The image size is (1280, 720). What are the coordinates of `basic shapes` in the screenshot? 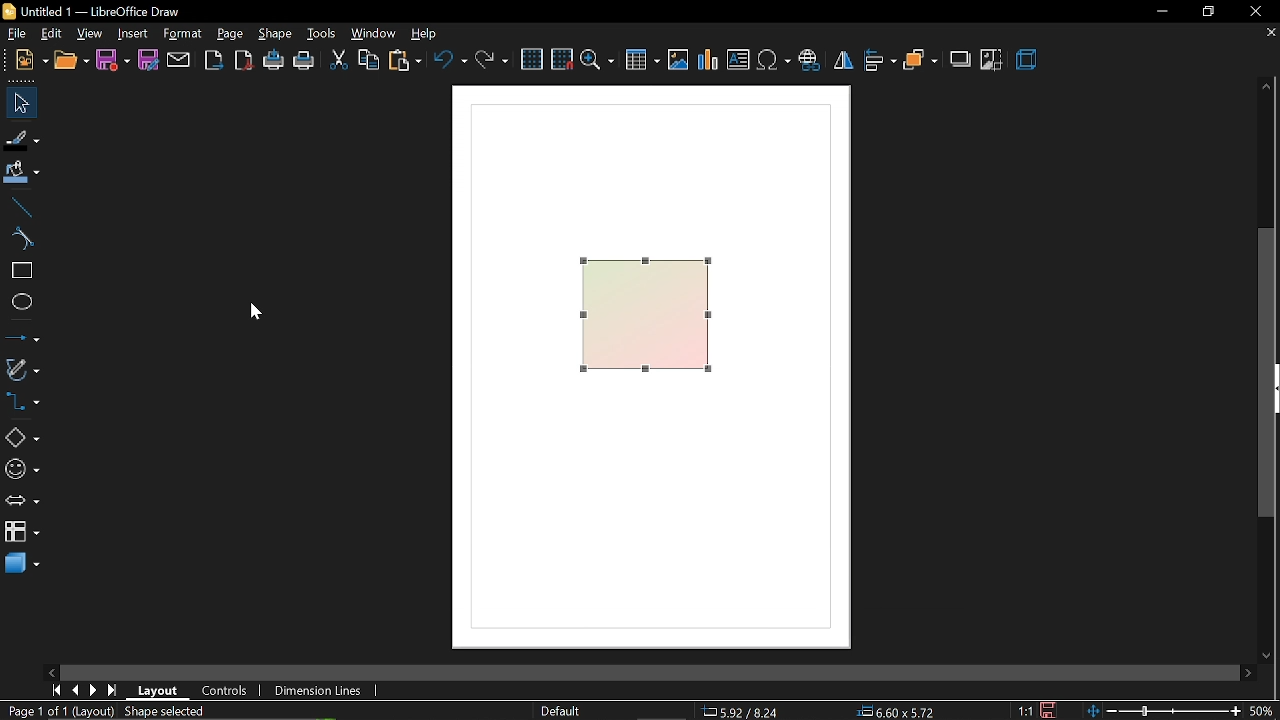 It's located at (22, 438).